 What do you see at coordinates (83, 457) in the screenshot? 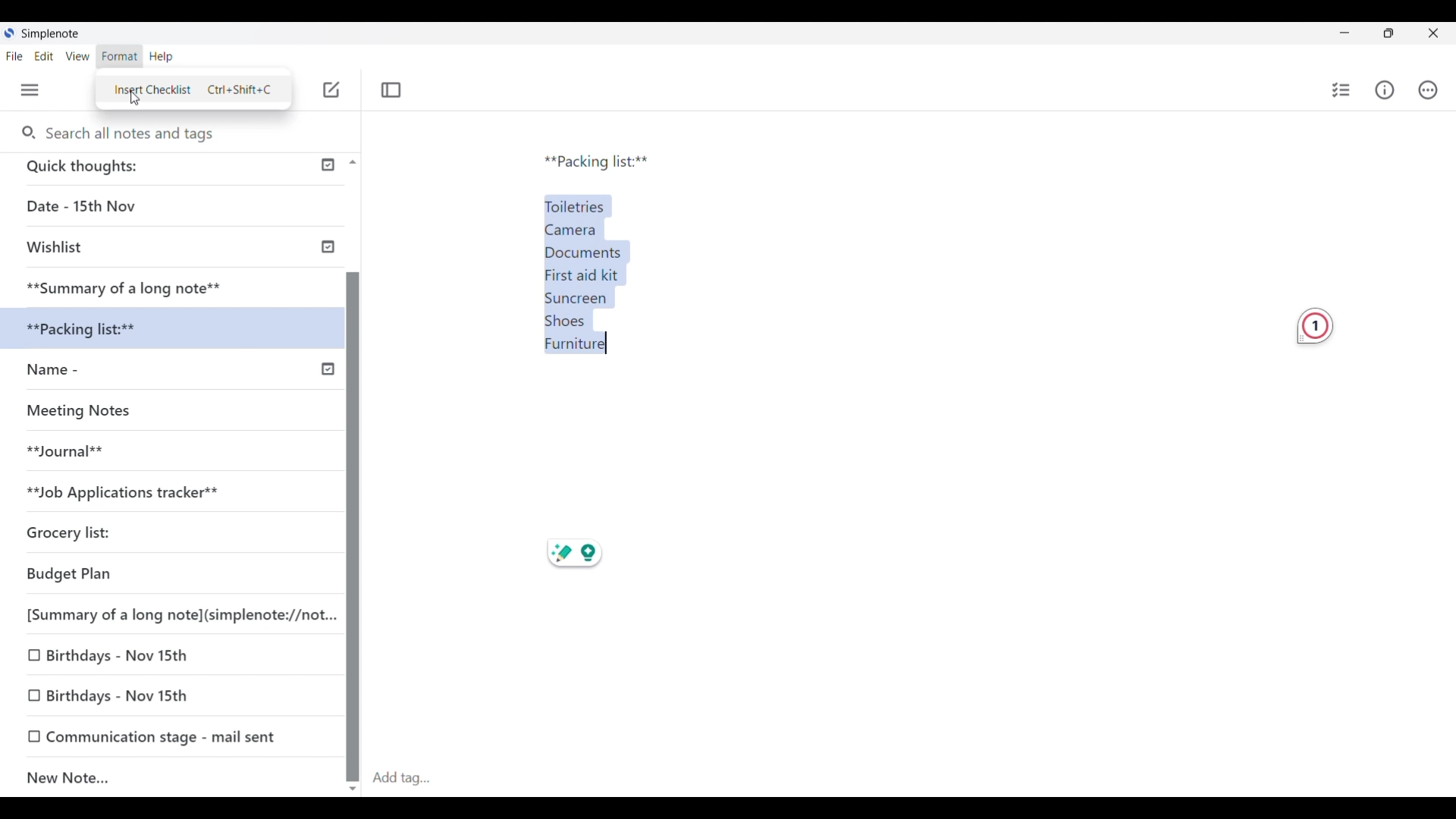
I see `Journal` at bounding box center [83, 457].